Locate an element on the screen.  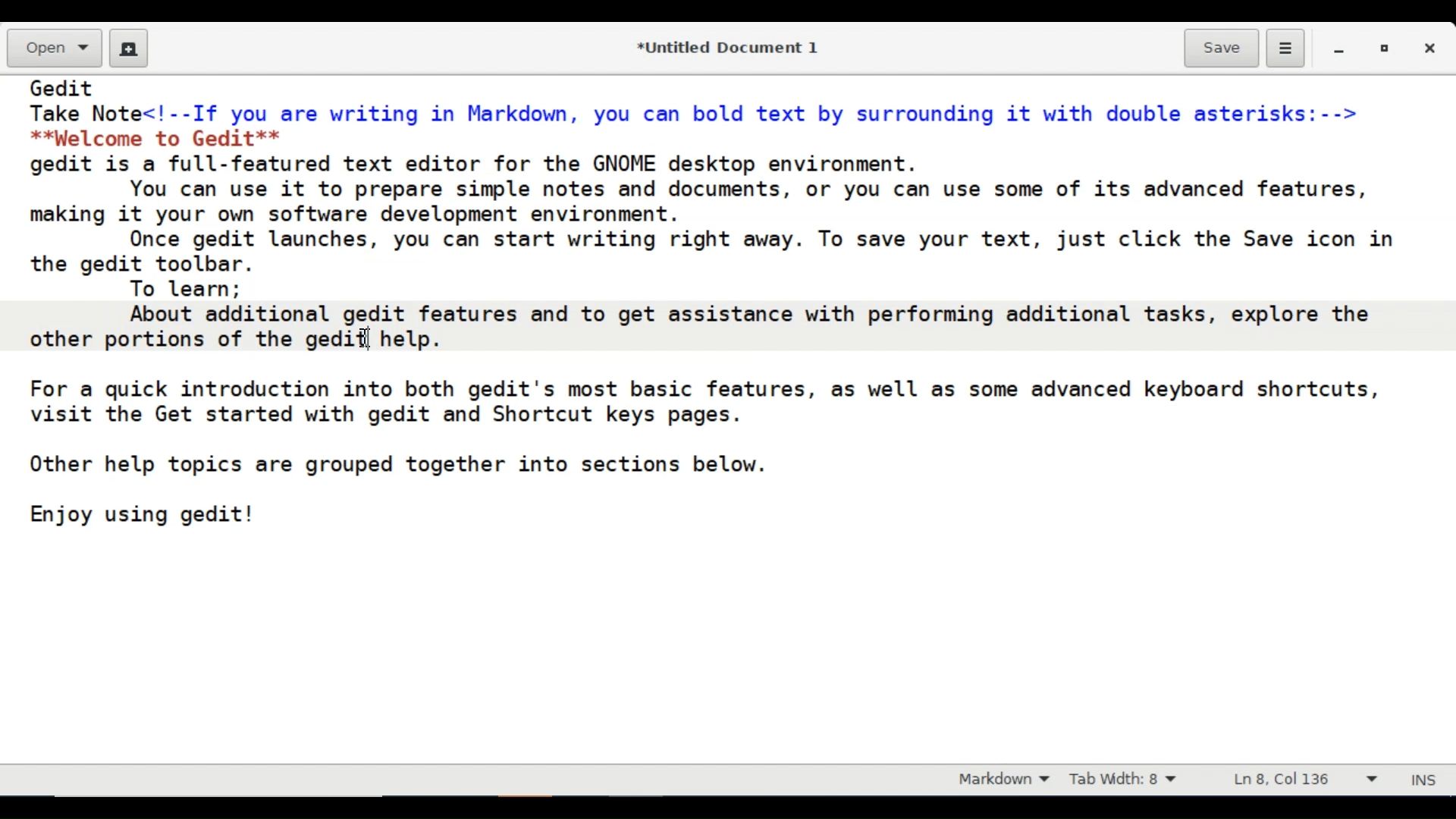
Line & Column Preference is located at coordinates (1305, 783).